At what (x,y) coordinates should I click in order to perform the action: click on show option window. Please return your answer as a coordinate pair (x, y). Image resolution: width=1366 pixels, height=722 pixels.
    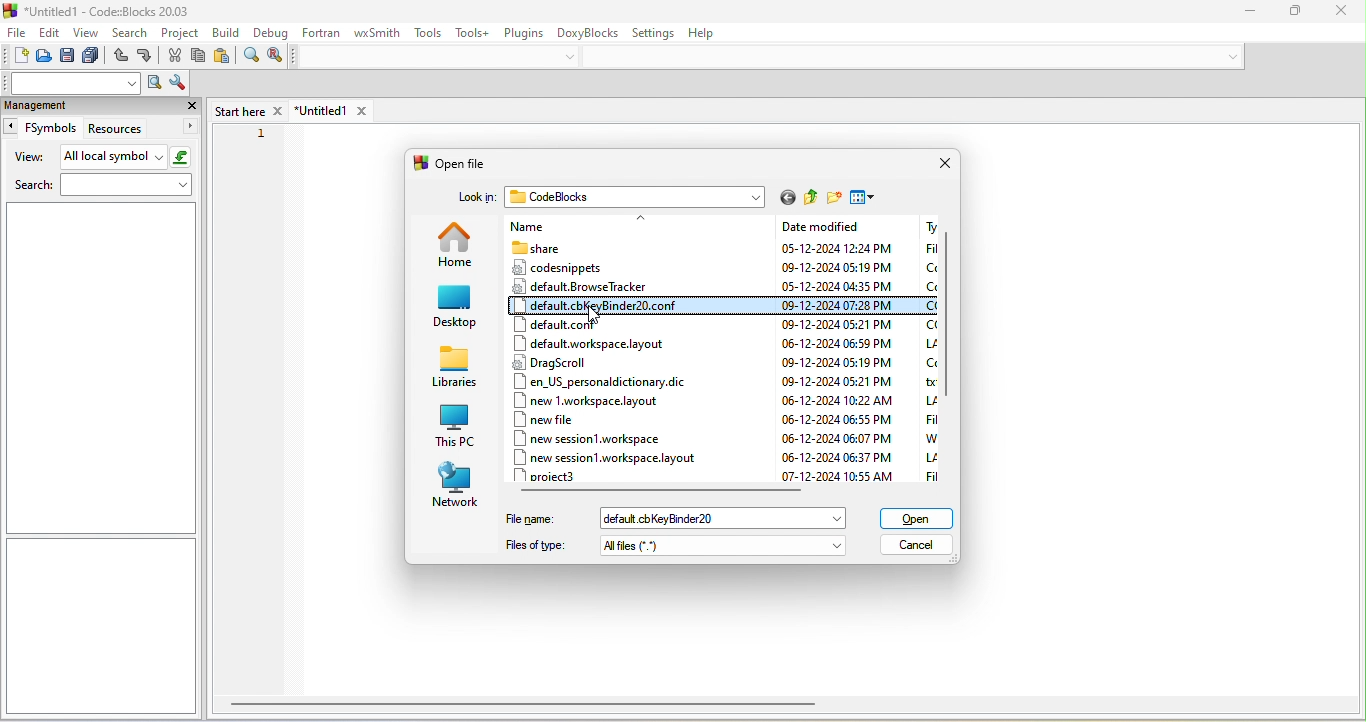
    Looking at the image, I should click on (178, 84).